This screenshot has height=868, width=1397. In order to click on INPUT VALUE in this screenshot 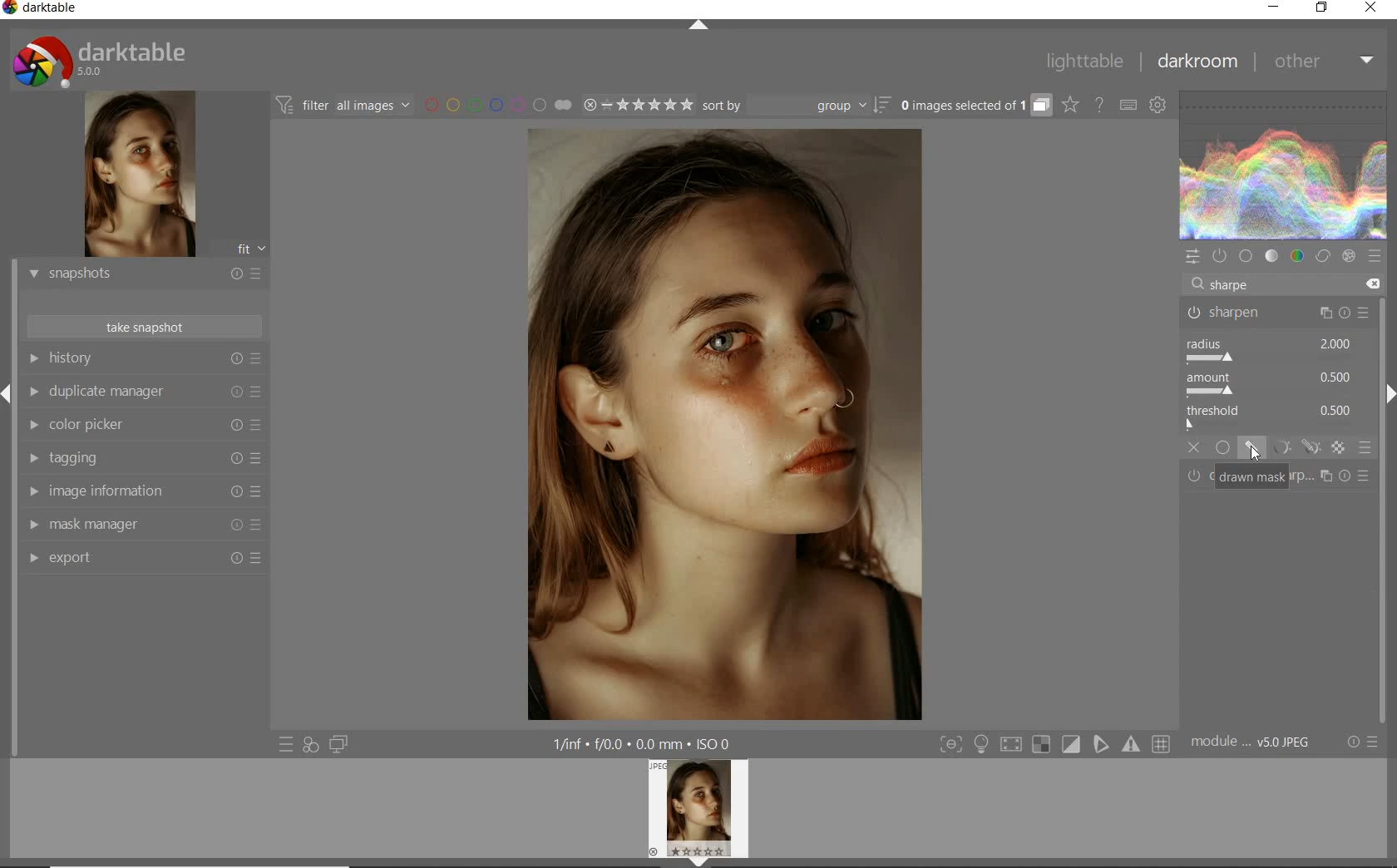, I will do `click(1230, 284)`.